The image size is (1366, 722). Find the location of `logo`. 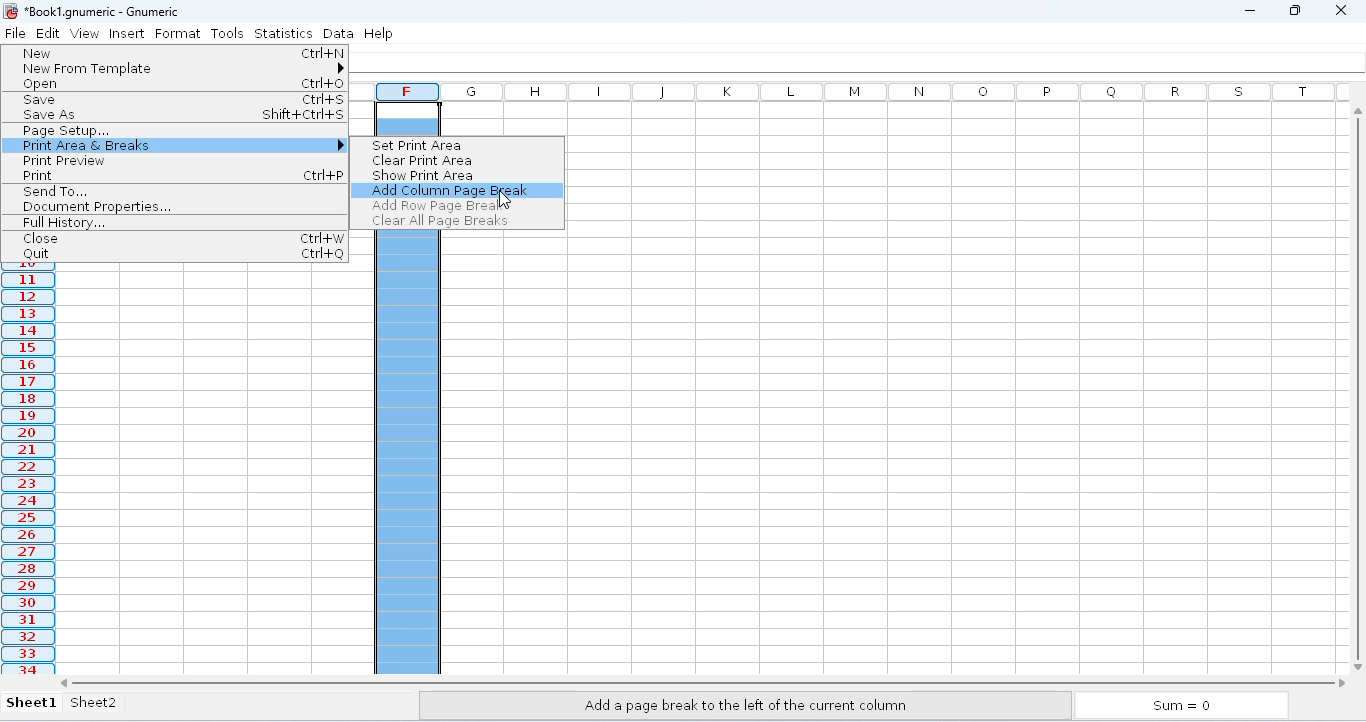

logo is located at coordinates (10, 11).